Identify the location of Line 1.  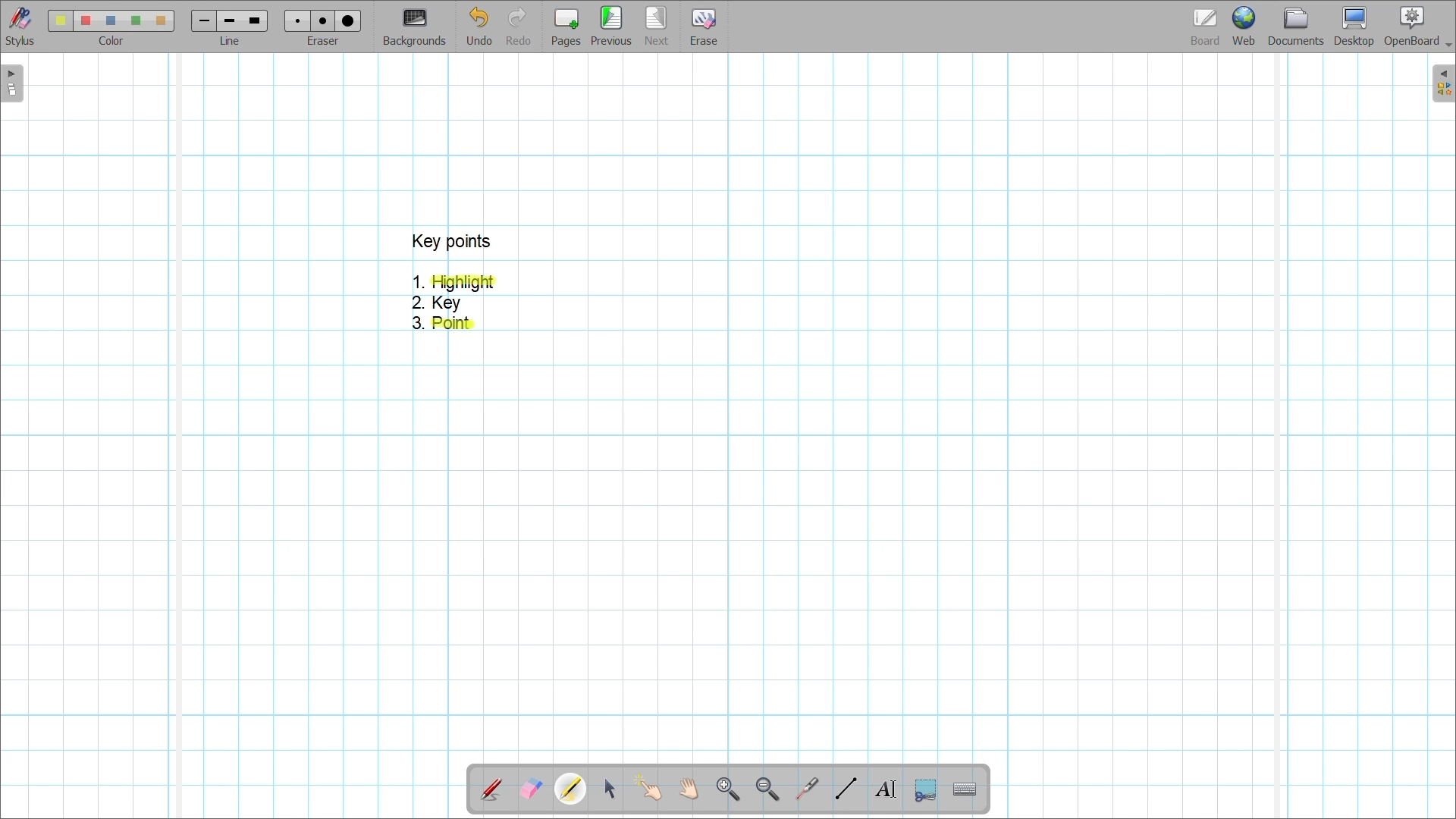
(202, 20).